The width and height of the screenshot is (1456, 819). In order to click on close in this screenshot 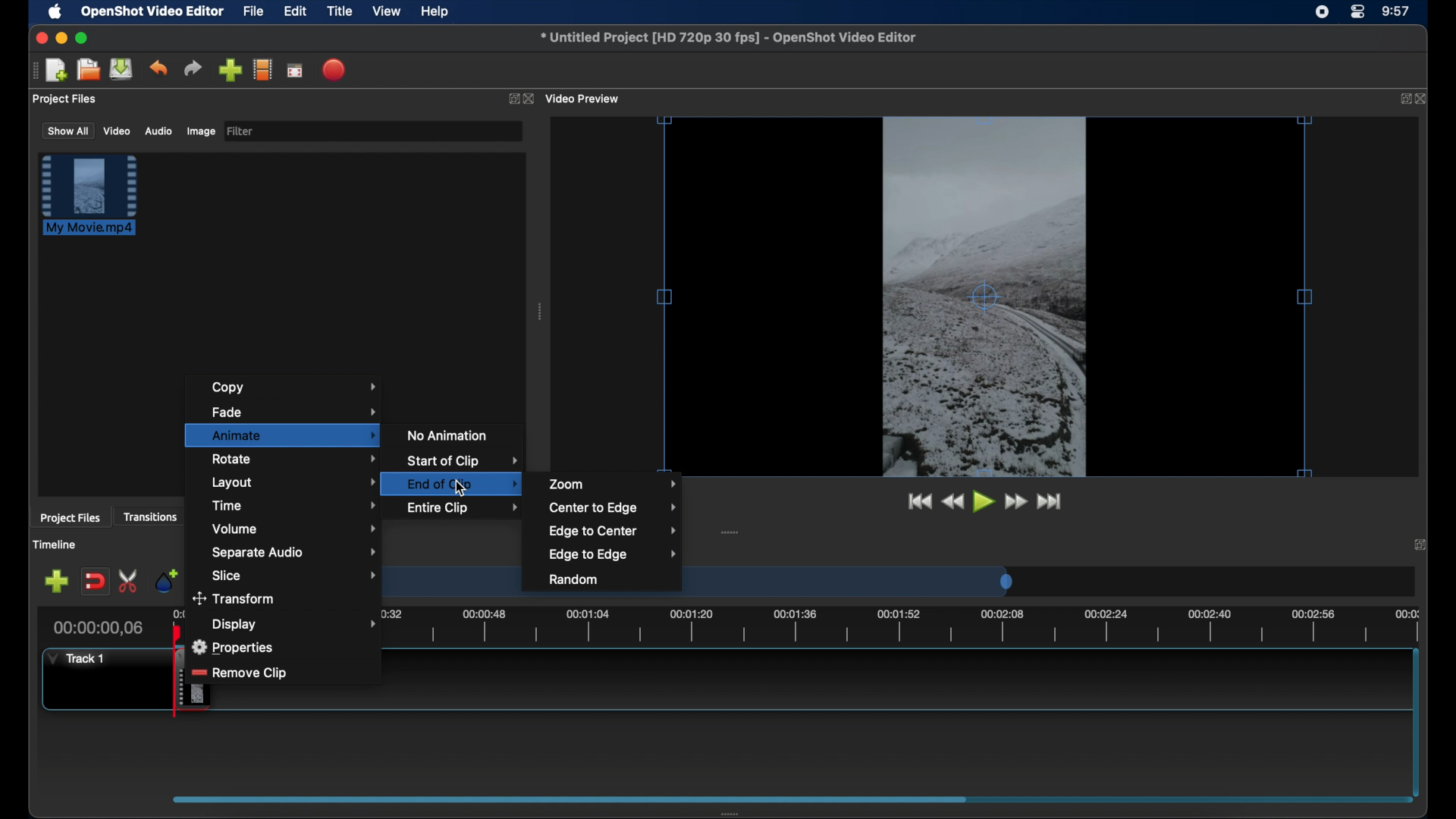, I will do `click(39, 38)`.